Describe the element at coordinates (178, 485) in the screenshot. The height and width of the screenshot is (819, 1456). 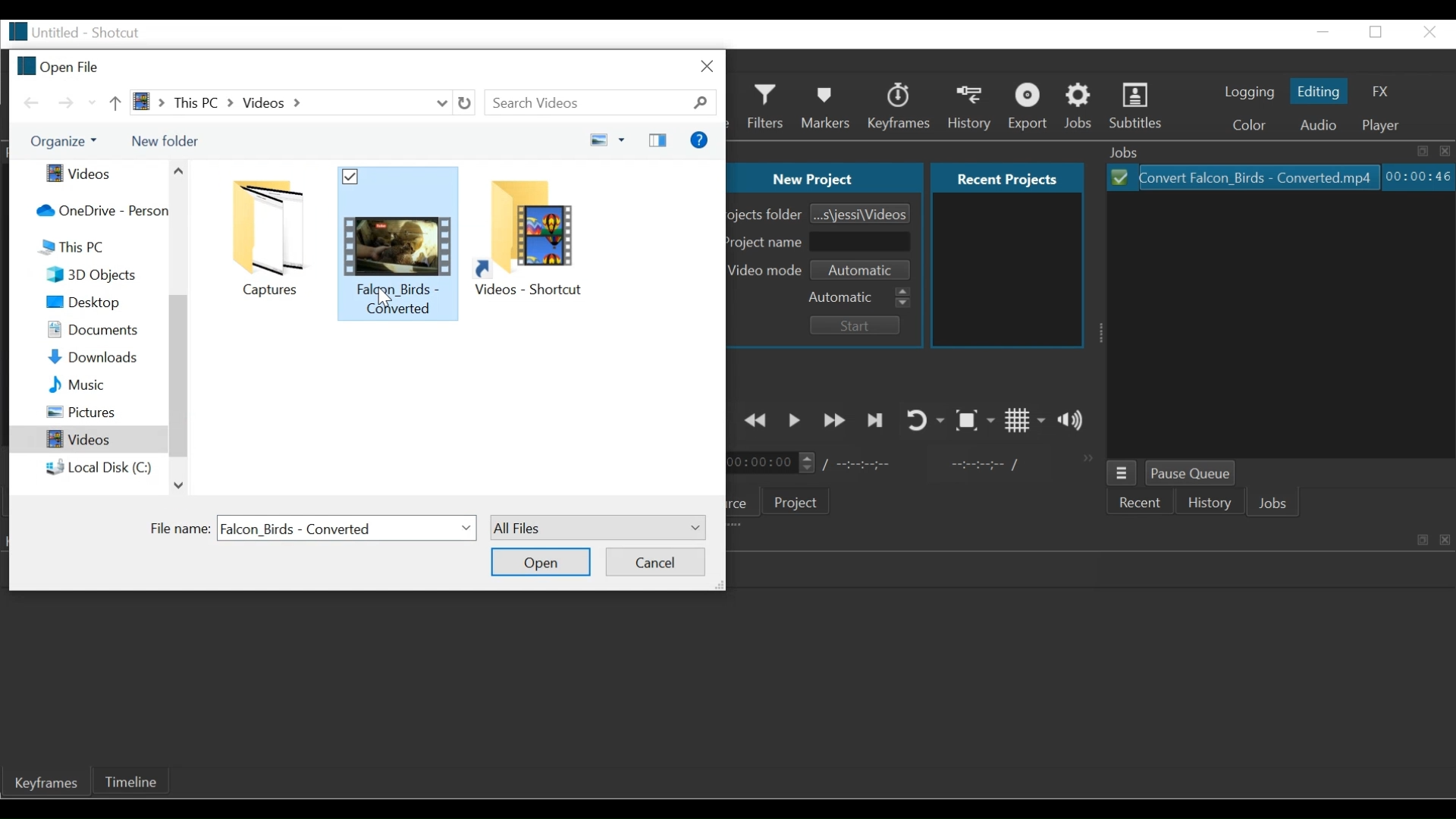
I see `Scroll down` at that location.